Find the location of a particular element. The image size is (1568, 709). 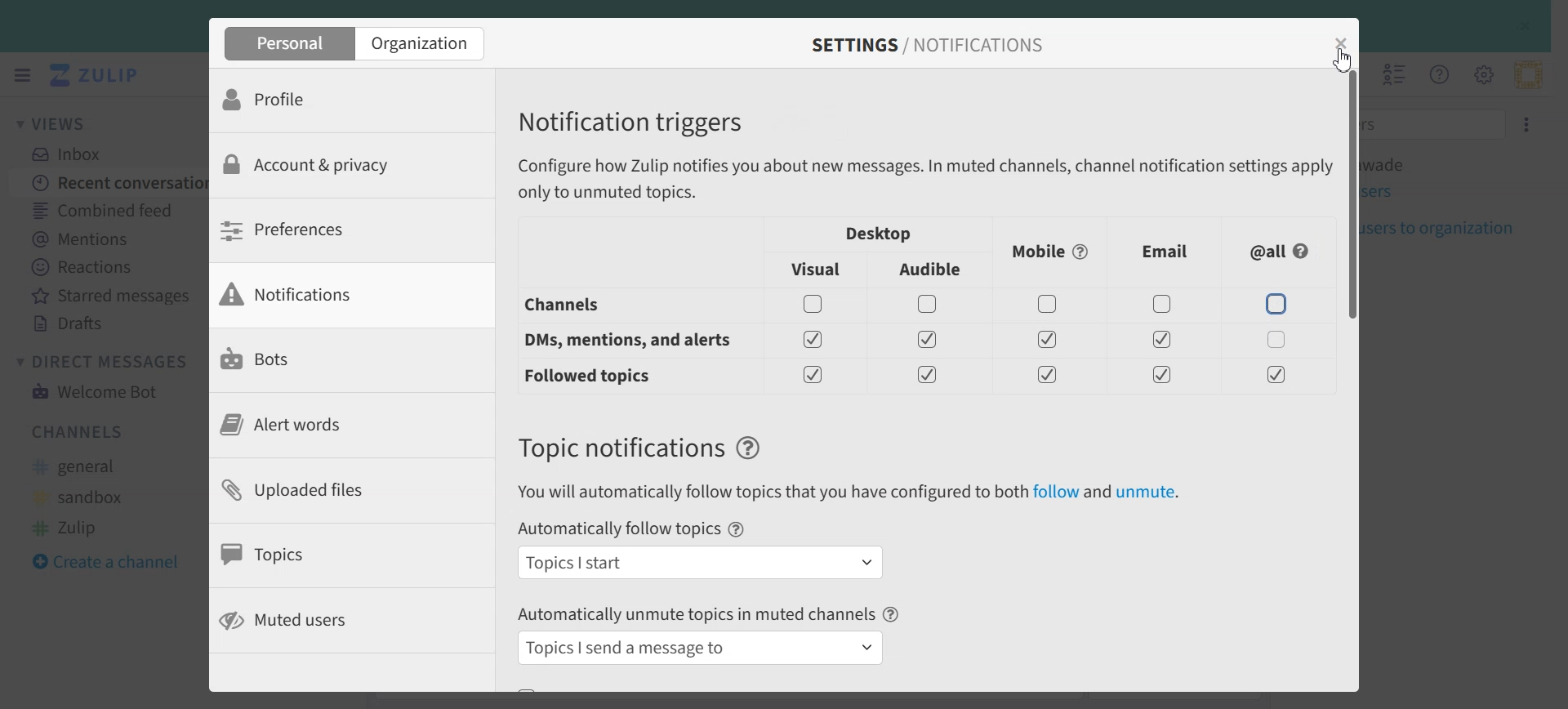

Logo is located at coordinates (97, 75).